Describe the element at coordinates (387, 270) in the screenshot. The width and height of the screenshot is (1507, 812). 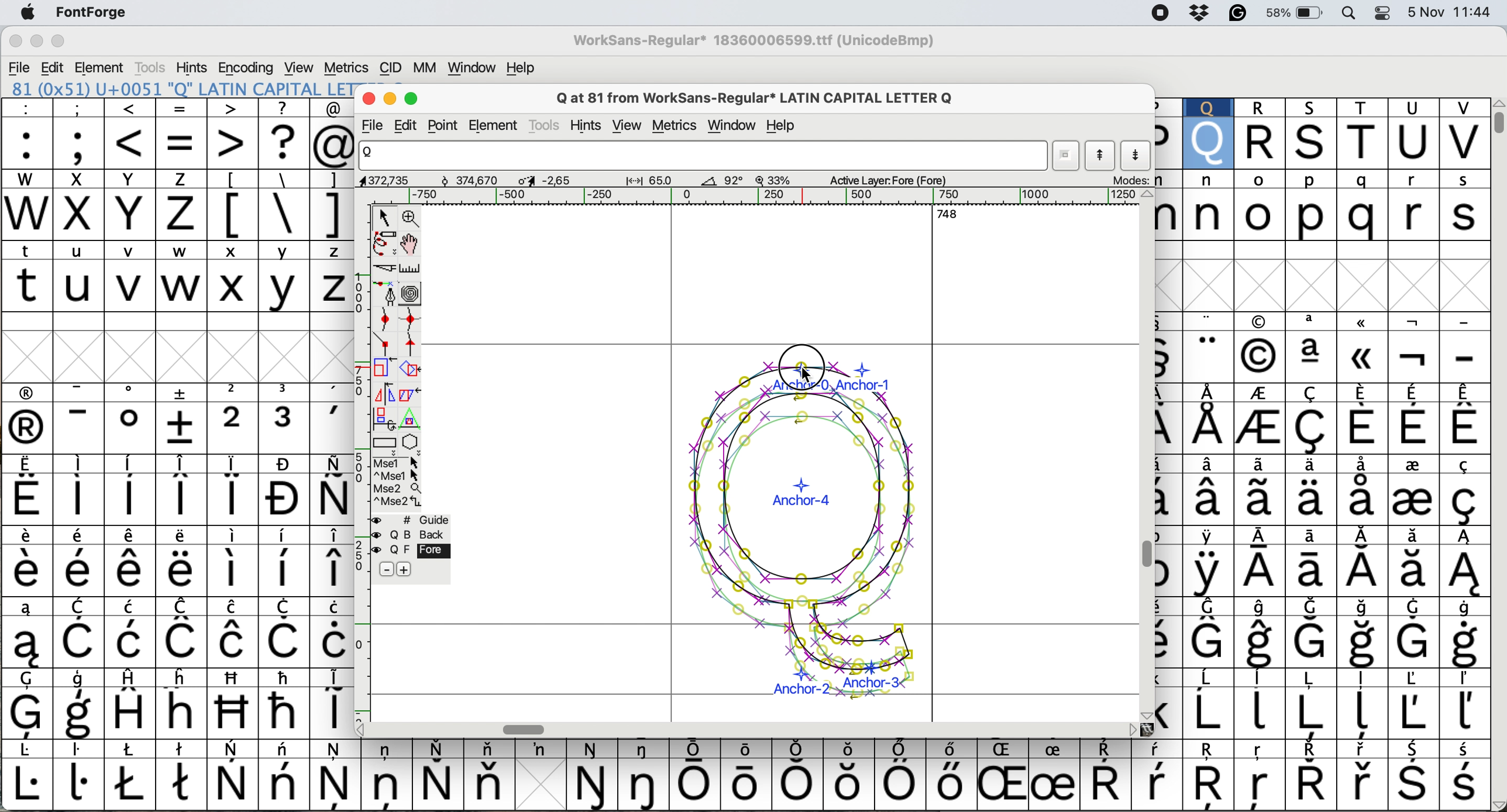
I see `cut splines in two` at that location.